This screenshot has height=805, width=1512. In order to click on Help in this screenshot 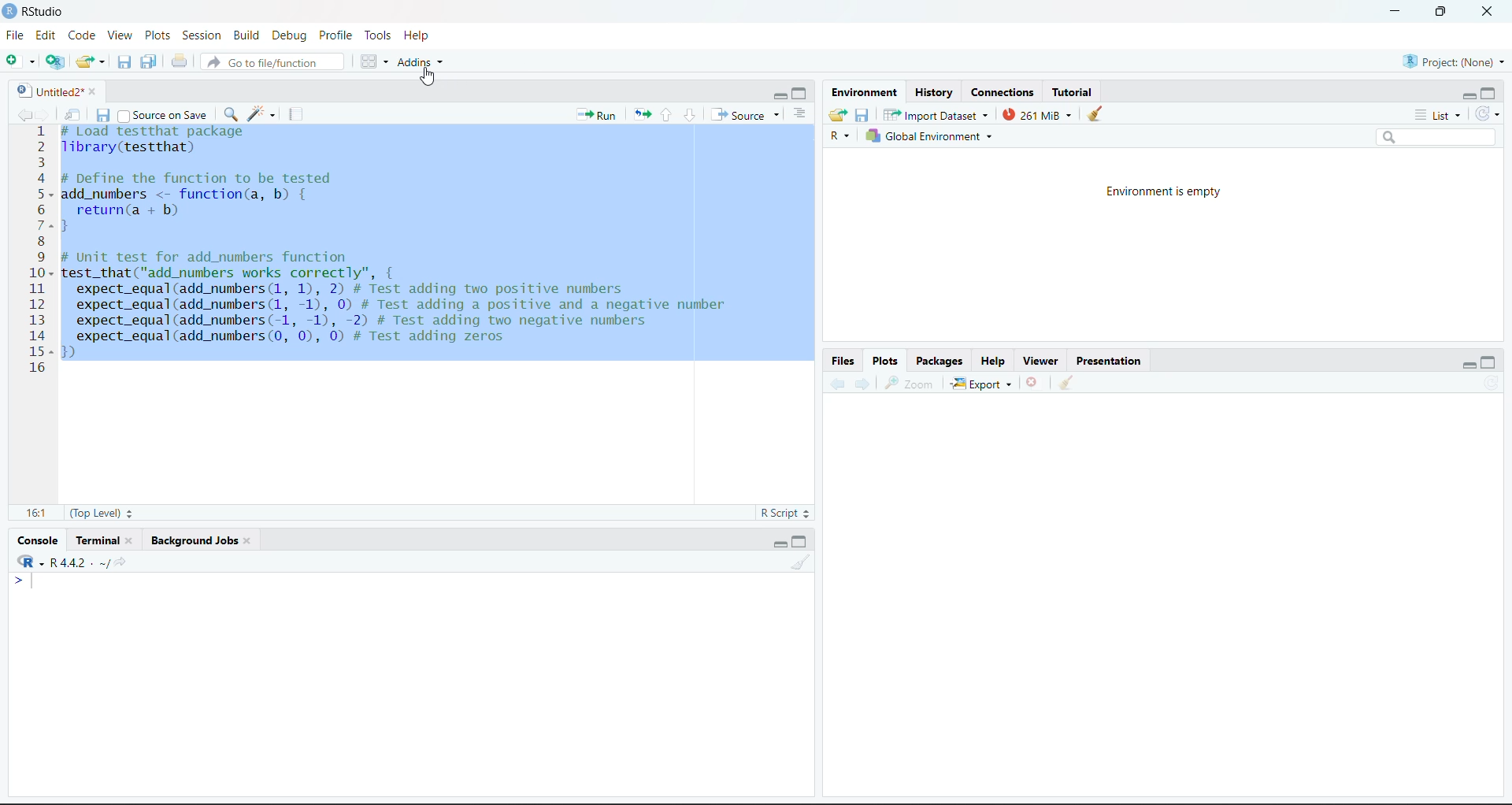, I will do `click(416, 35)`.